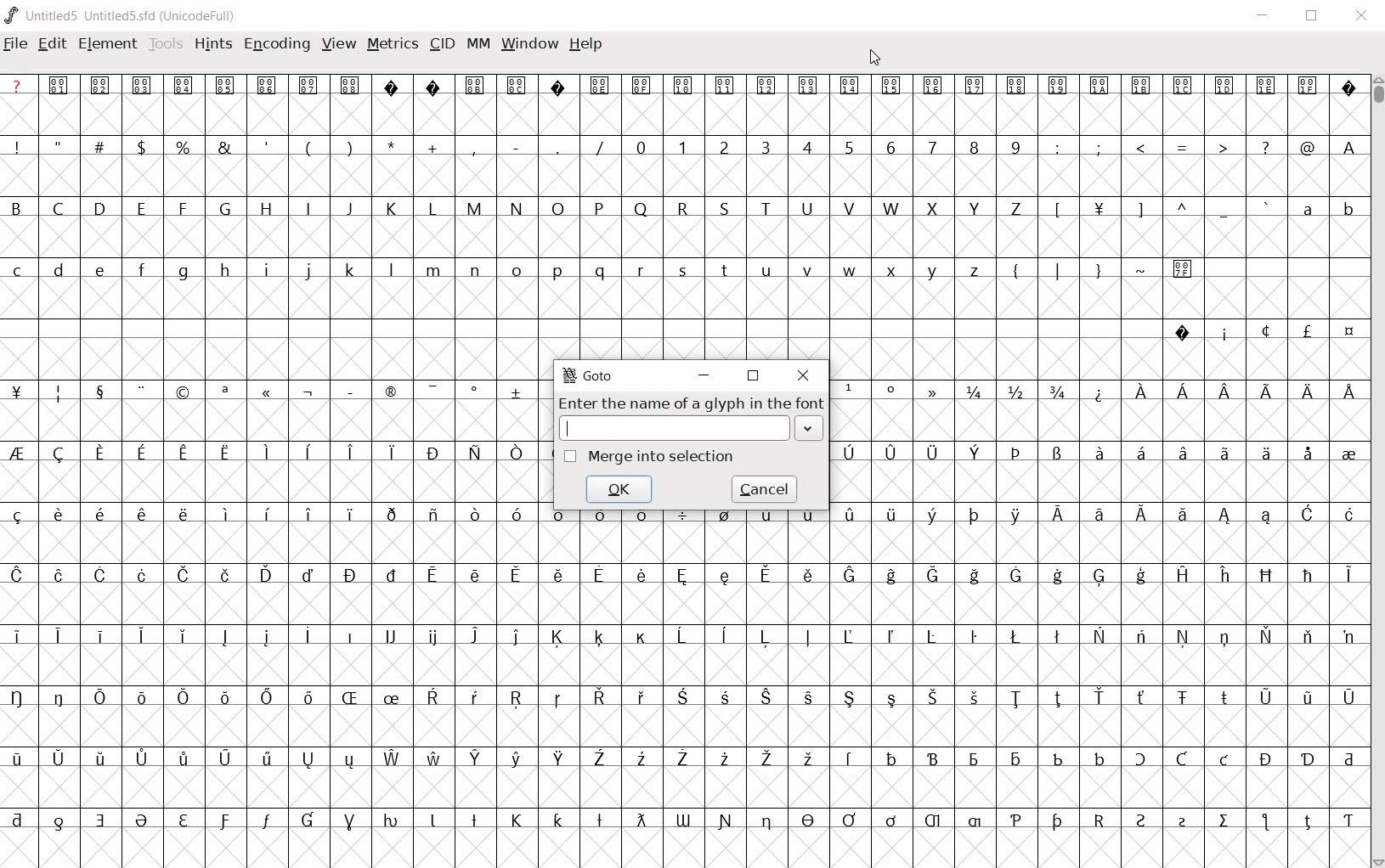  Describe the element at coordinates (228, 450) in the screenshot. I see `Symbol` at that location.